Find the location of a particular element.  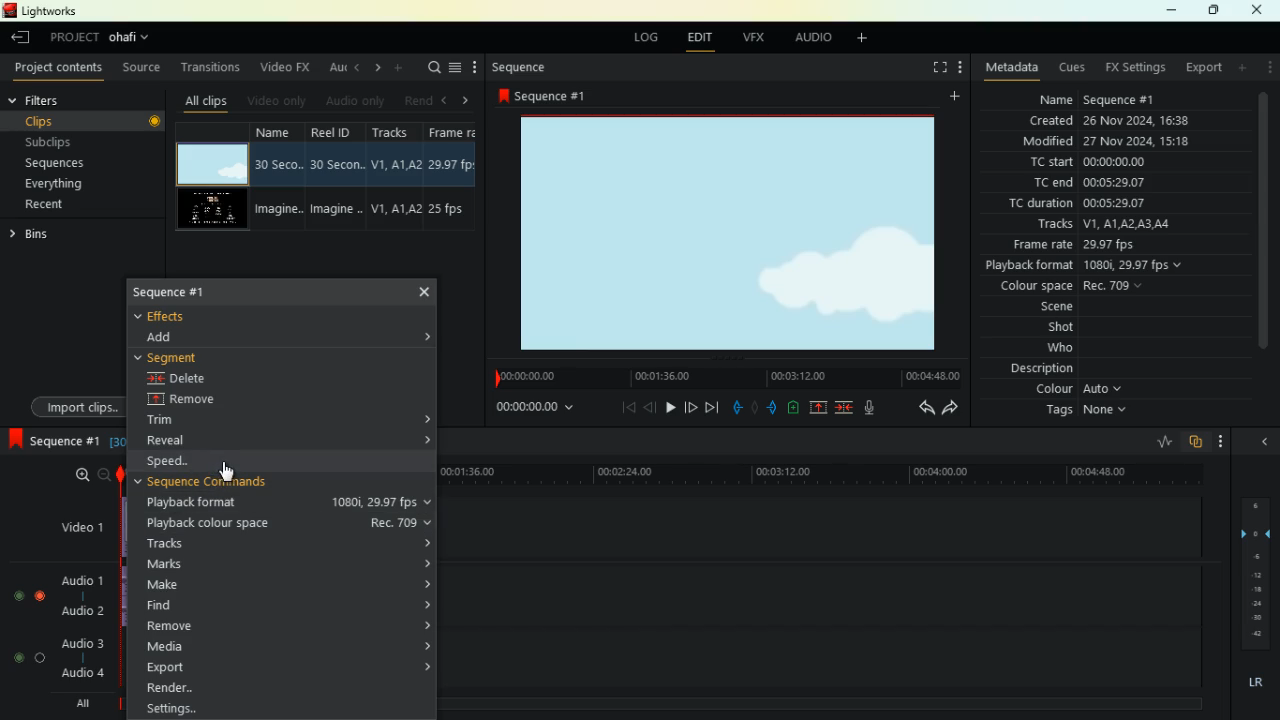

description is located at coordinates (1042, 369).